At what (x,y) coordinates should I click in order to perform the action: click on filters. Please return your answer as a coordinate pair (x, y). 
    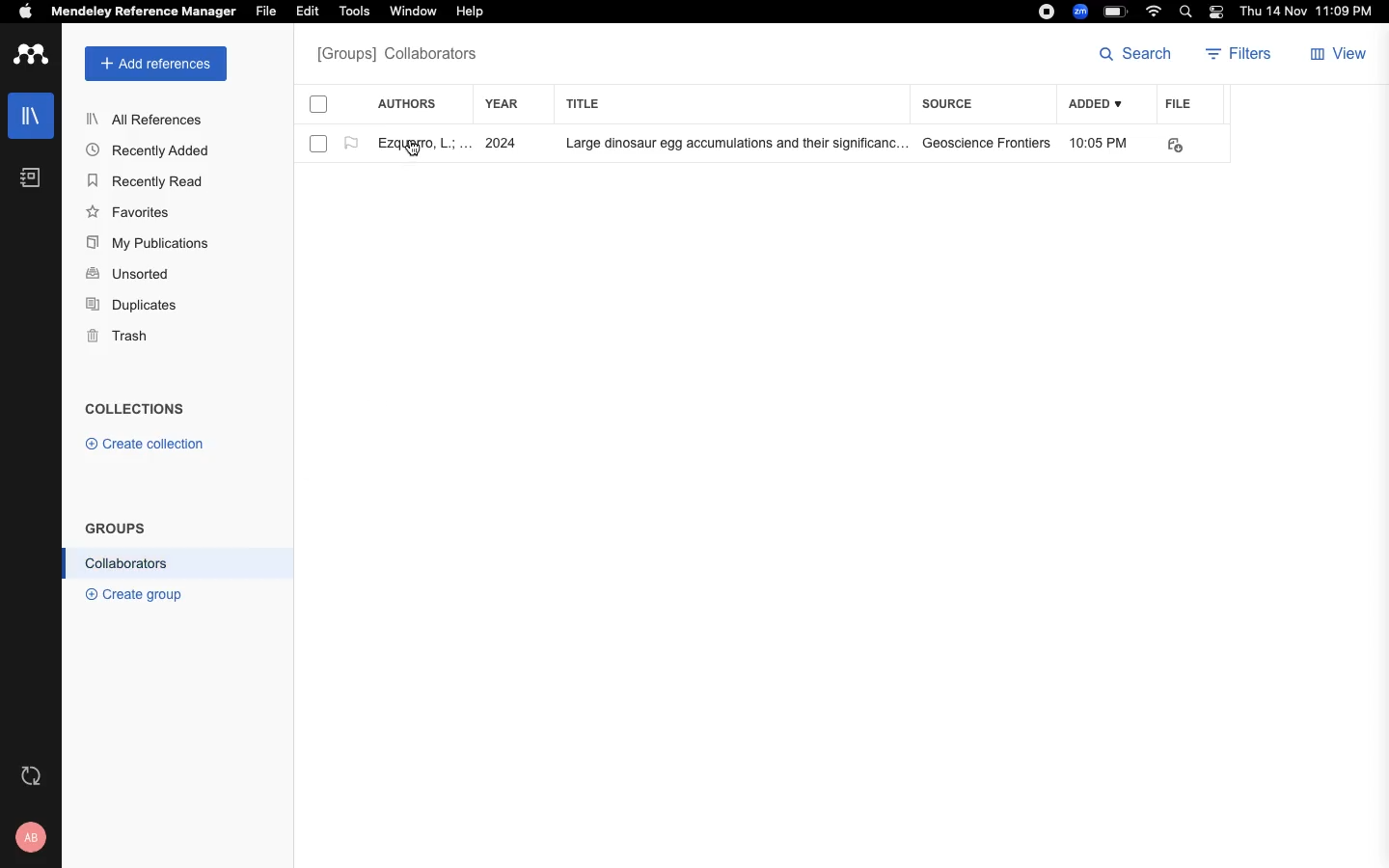
    Looking at the image, I should click on (1235, 57).